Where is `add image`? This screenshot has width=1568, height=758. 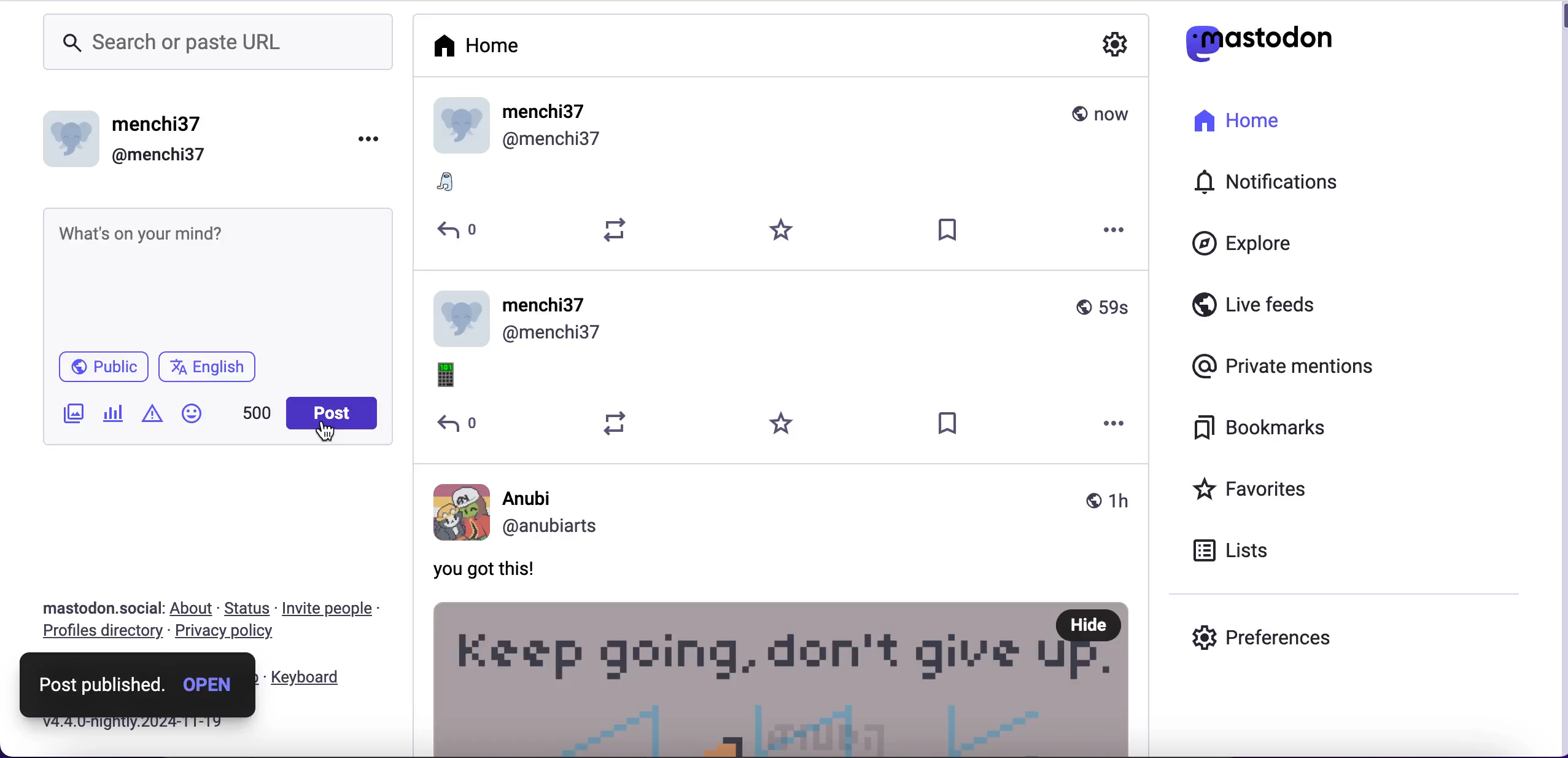 add image is located at coordinates (74, 413).